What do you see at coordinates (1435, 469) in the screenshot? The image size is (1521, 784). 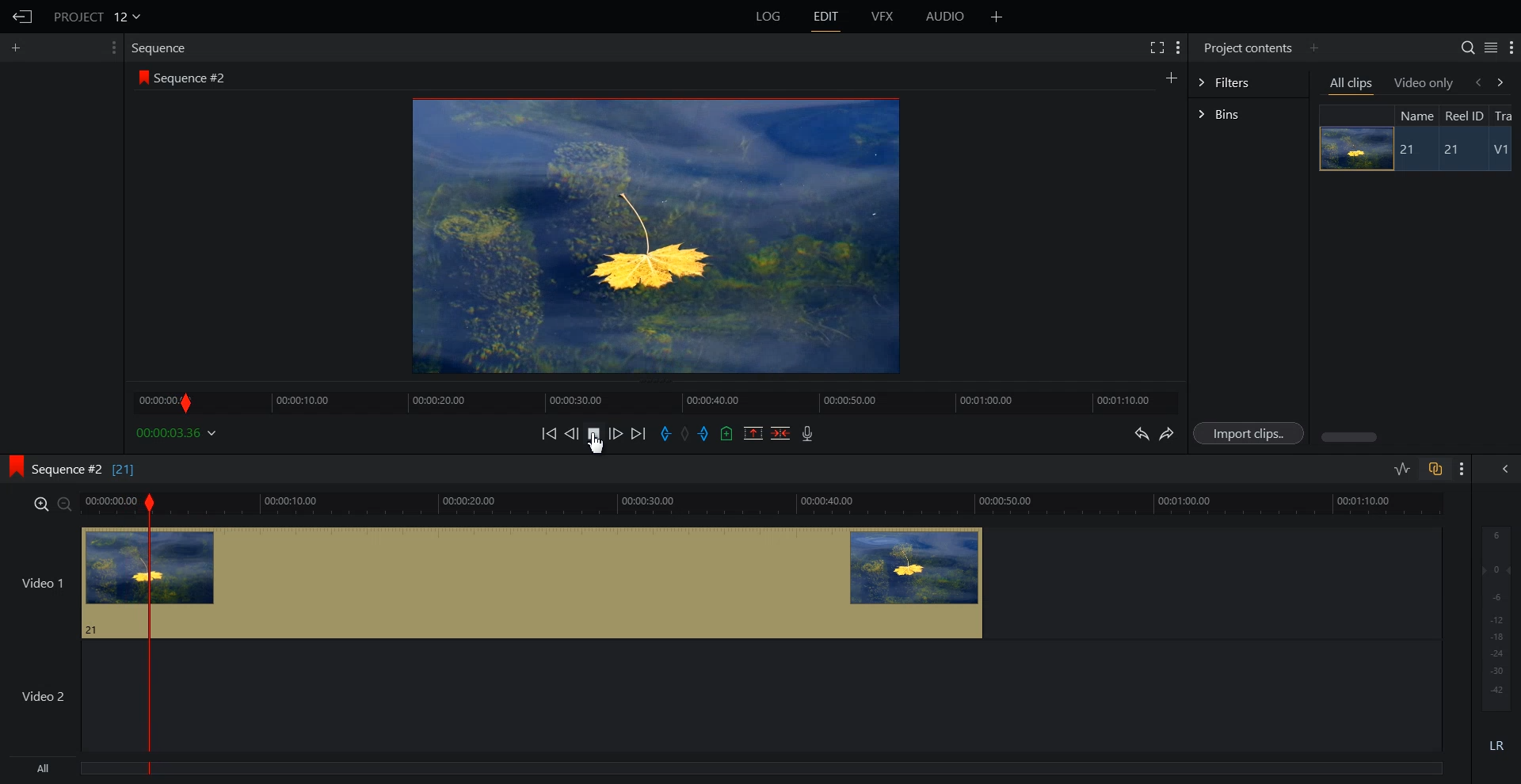 I see `Toggle auto Track sync` at bounding box center [1435, 469].